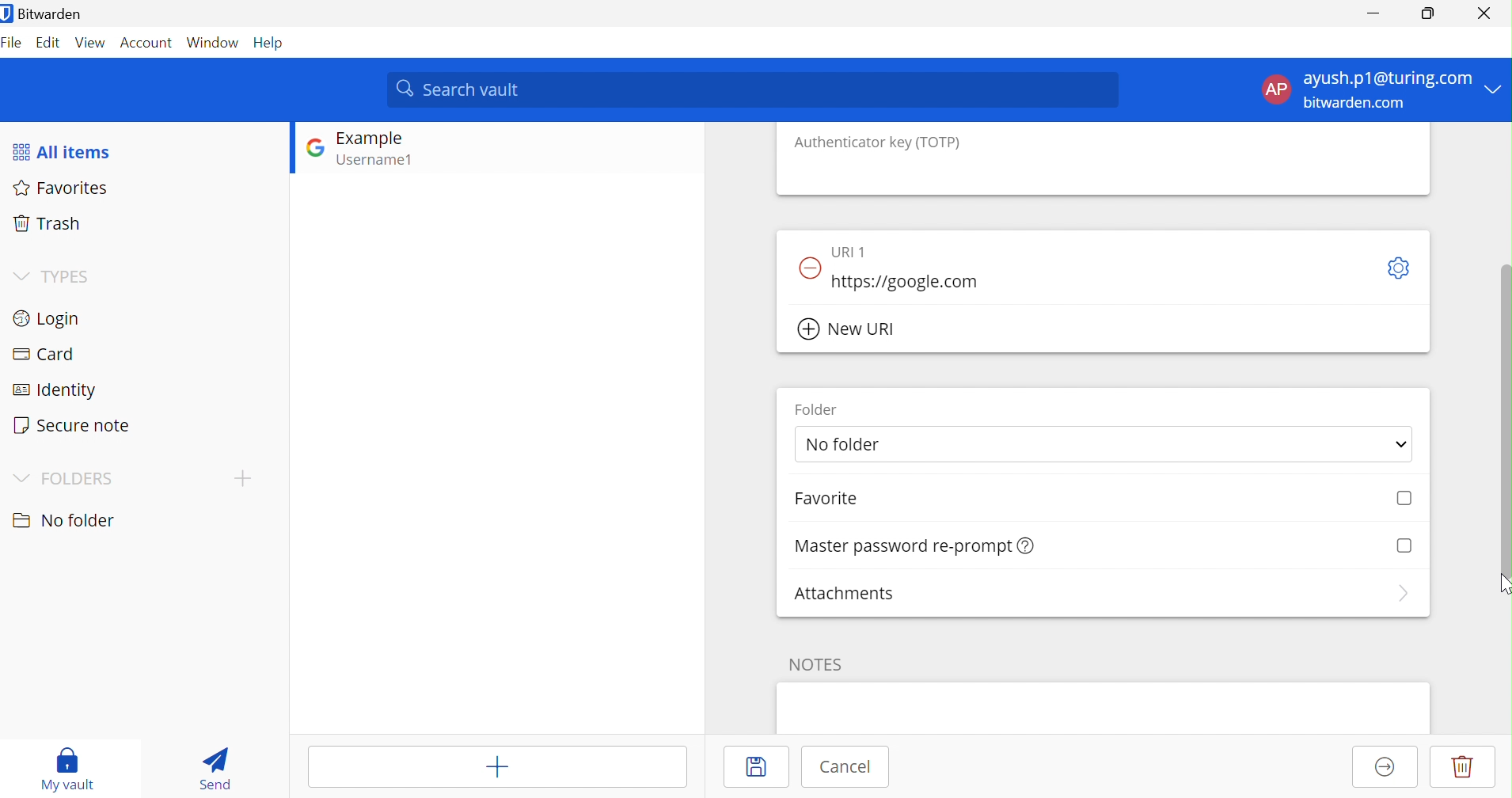 This screenshot has height=798, width=1512. I want to click on Send, so click(211, 766).